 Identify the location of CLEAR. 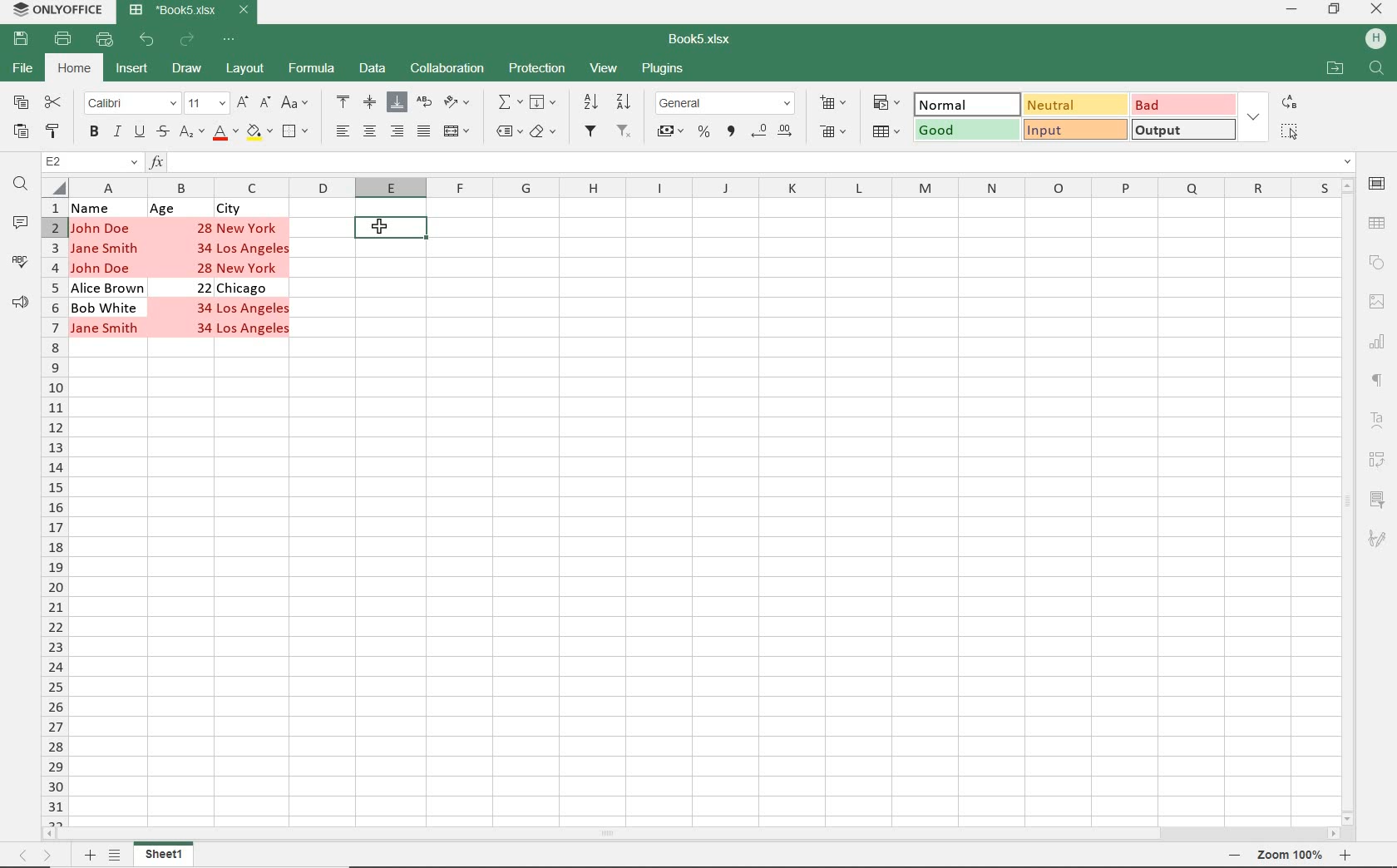
(548, 133).